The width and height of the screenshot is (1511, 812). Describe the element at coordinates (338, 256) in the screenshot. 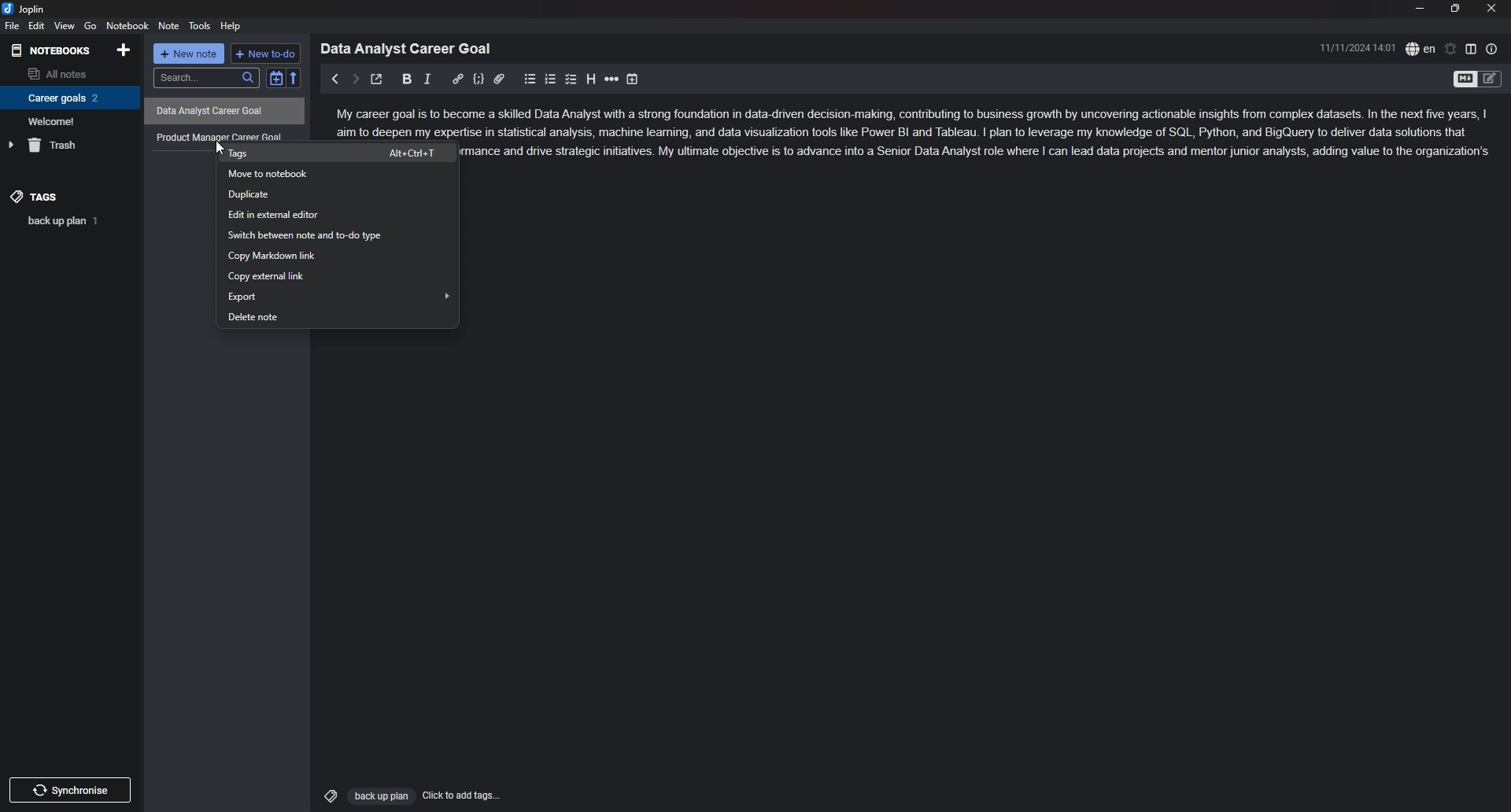

I see `copy markdown link` at that location.